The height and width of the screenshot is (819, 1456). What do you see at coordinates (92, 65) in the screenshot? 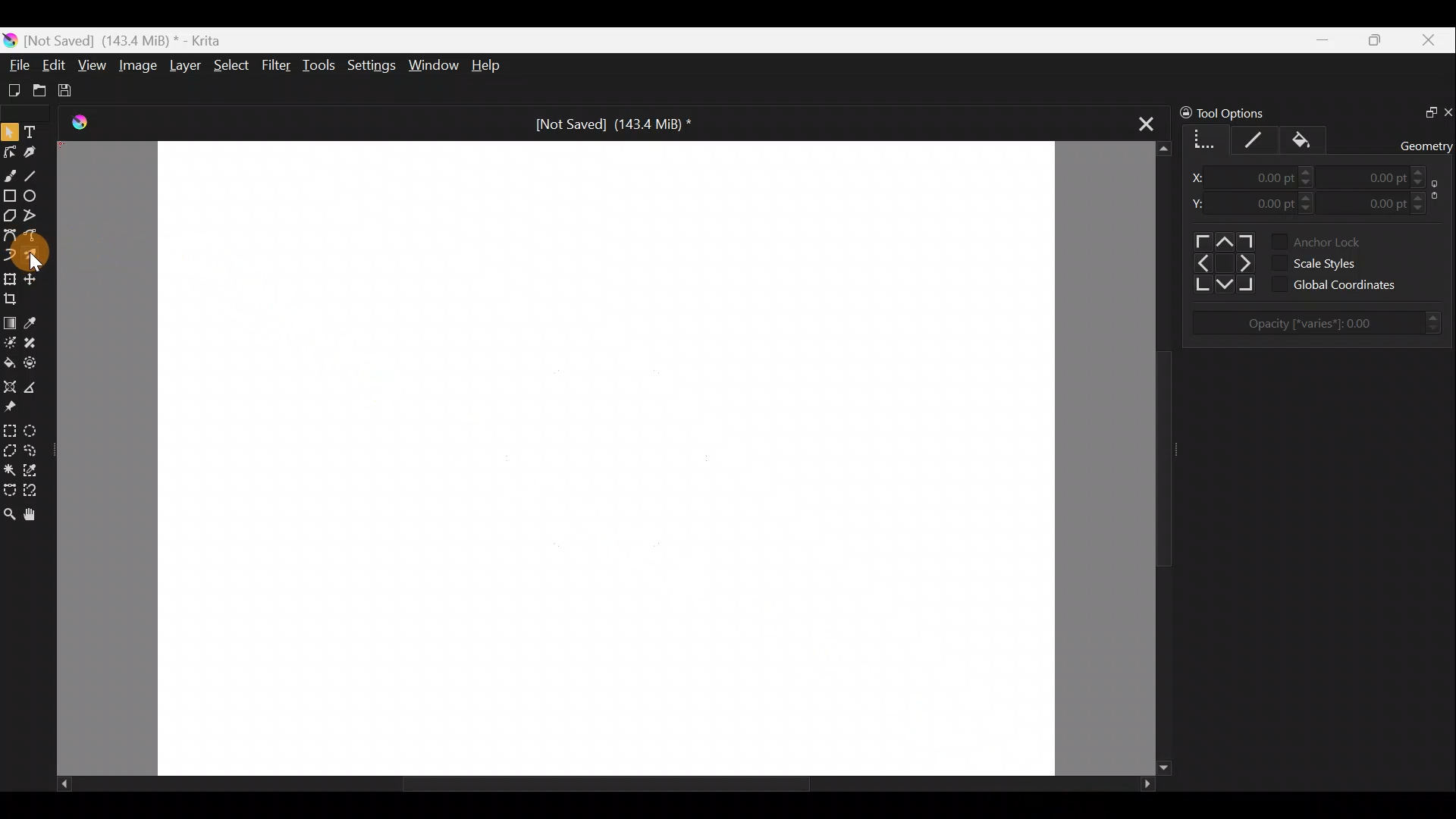
I see `View` at bounding box center [92, 65].